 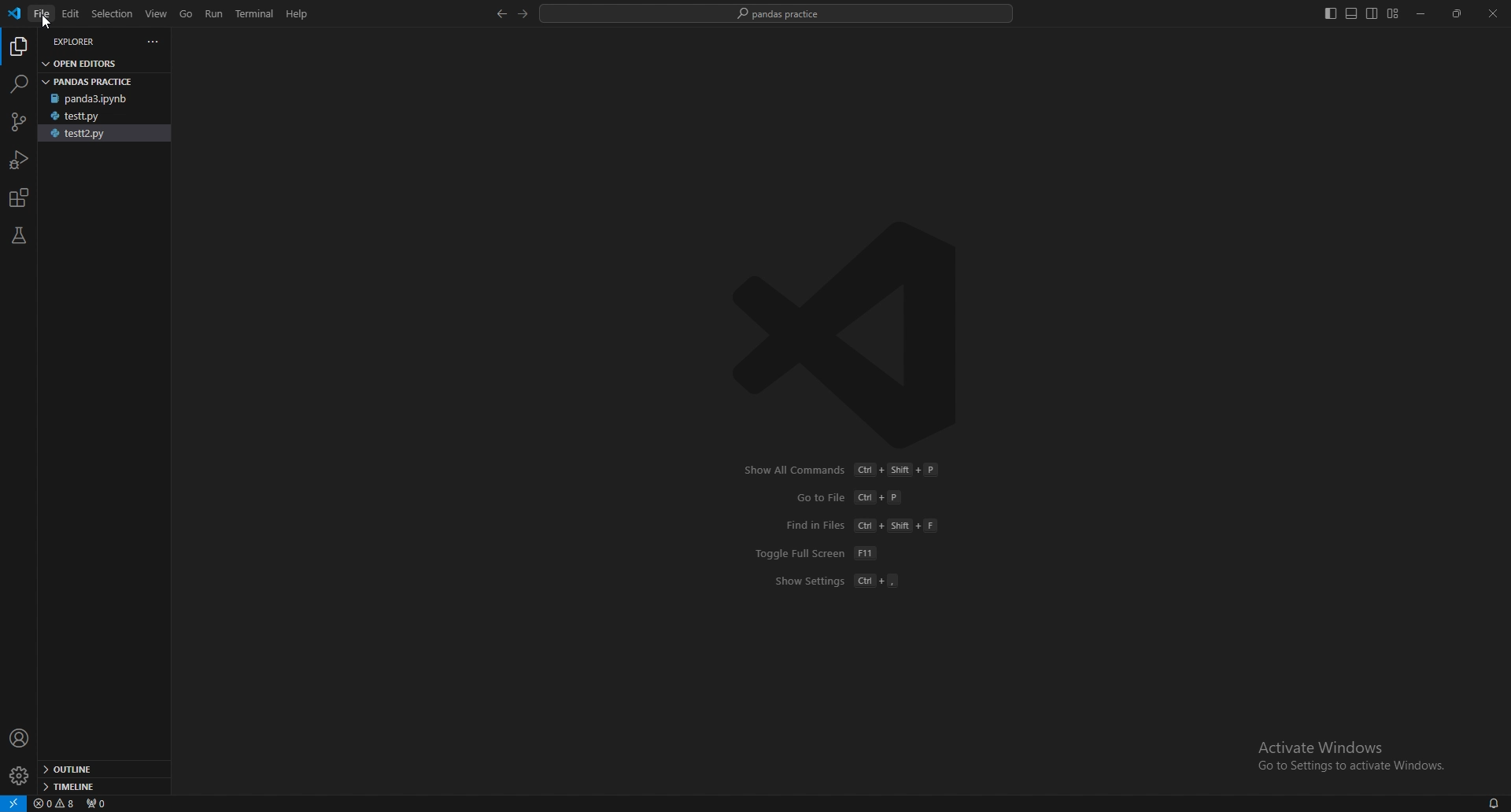 I want to click on profile, so click(x=20, y=739).